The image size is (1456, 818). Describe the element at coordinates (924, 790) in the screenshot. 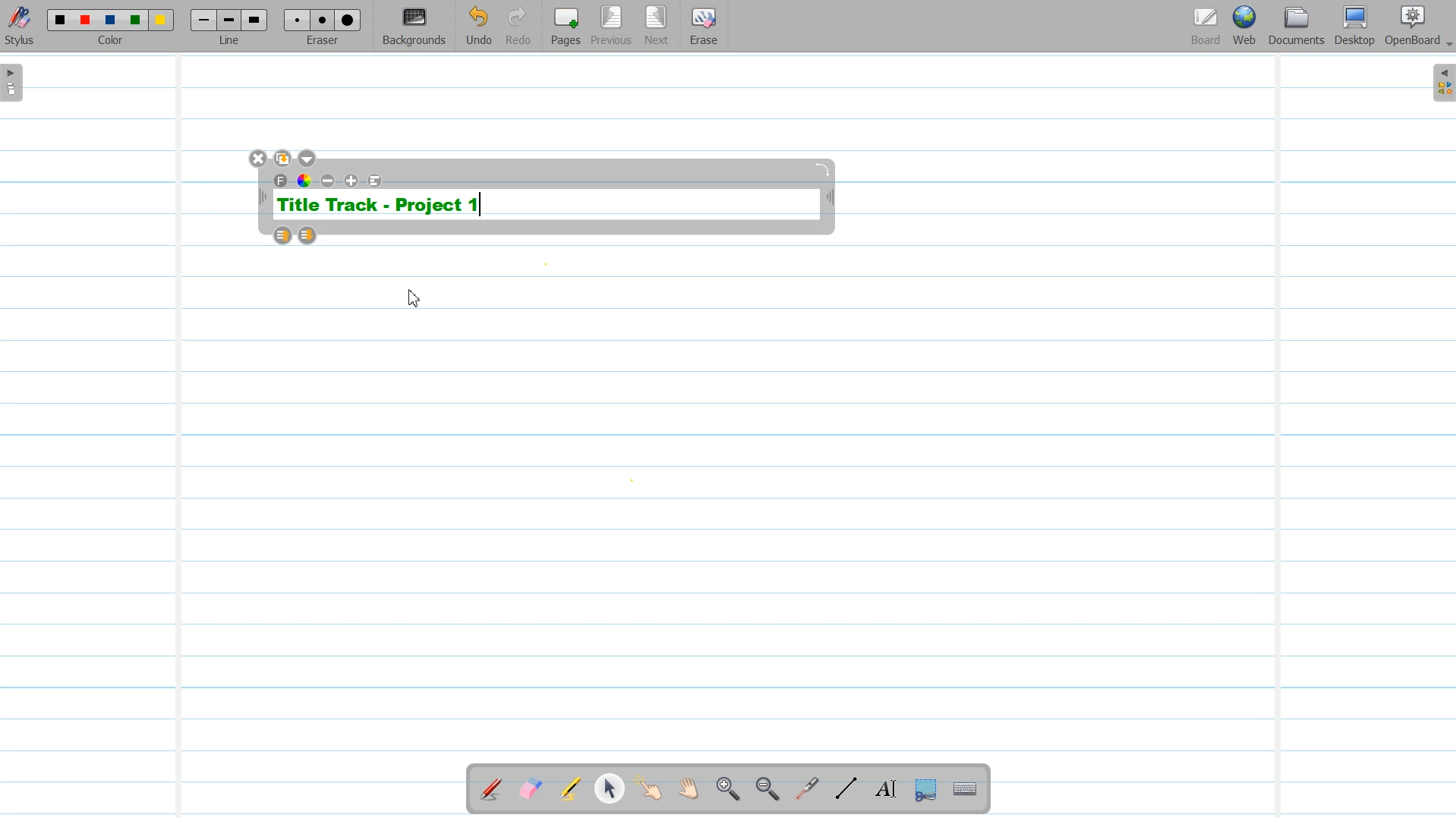

I see `Capture part of the screen` at that location.